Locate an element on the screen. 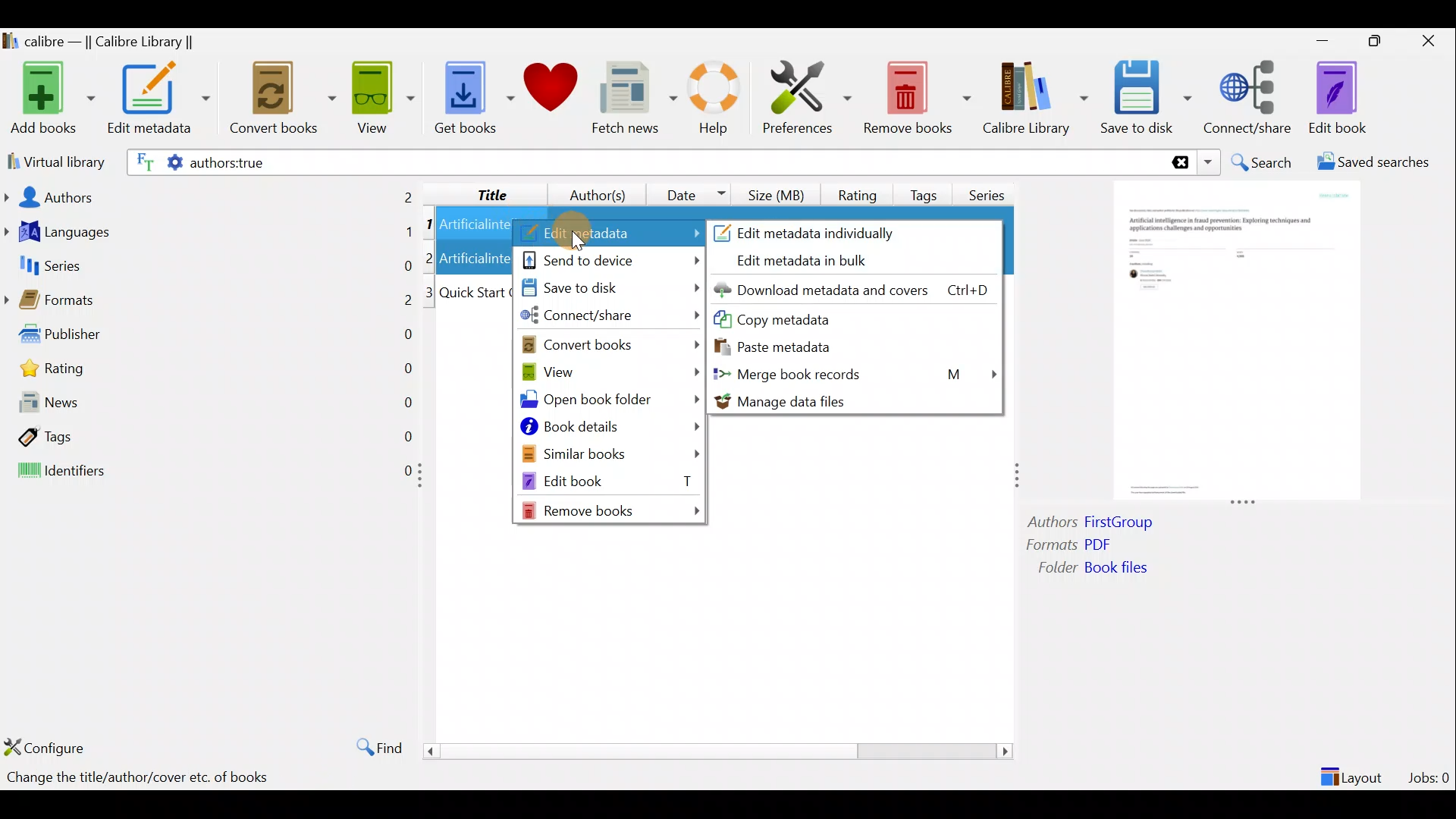  Formats: PDF is located at coordinates (1090, 547).